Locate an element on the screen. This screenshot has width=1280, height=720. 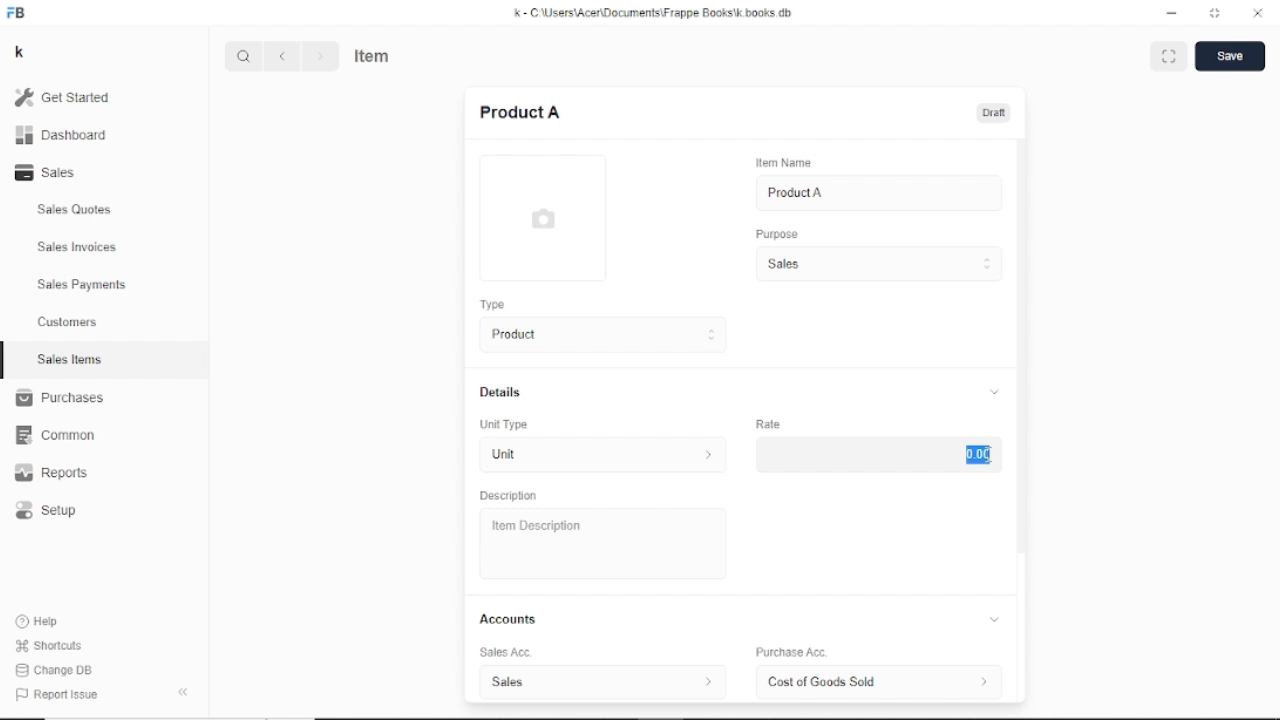
Description is located at coordinates (509, 496).